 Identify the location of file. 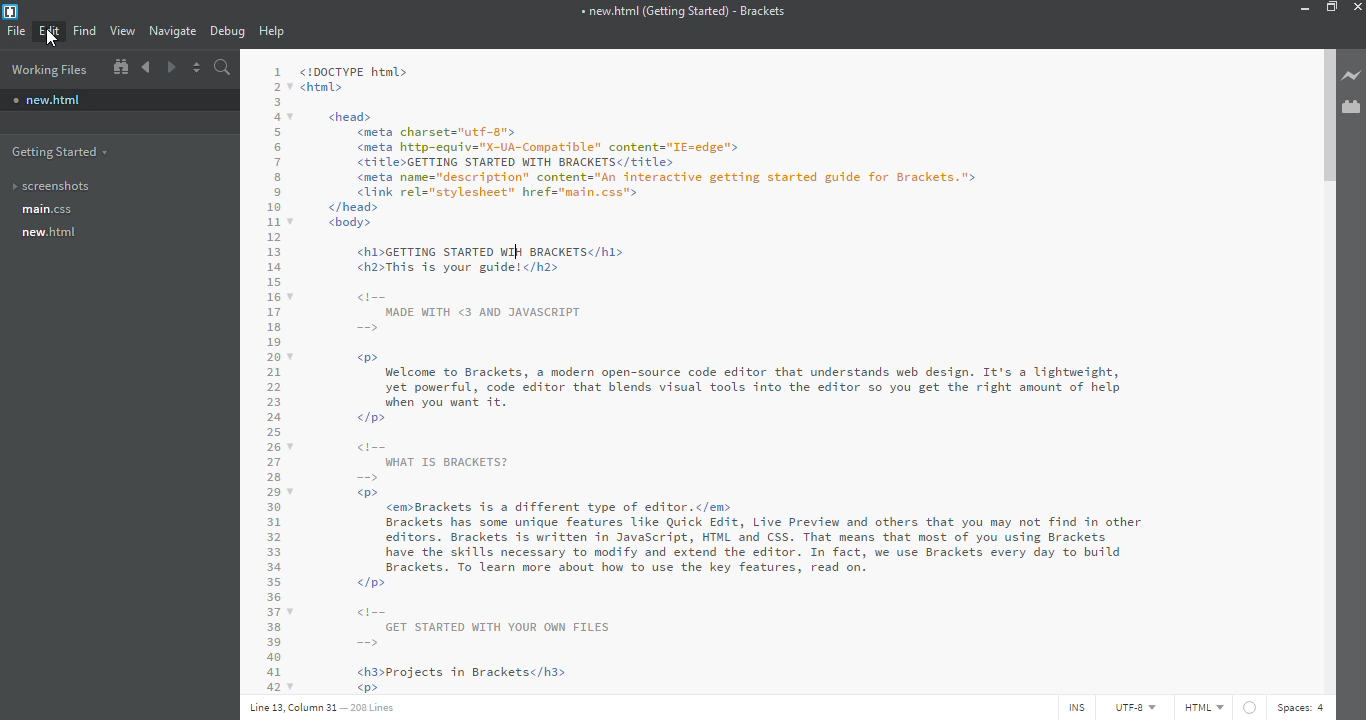
(16, 30).